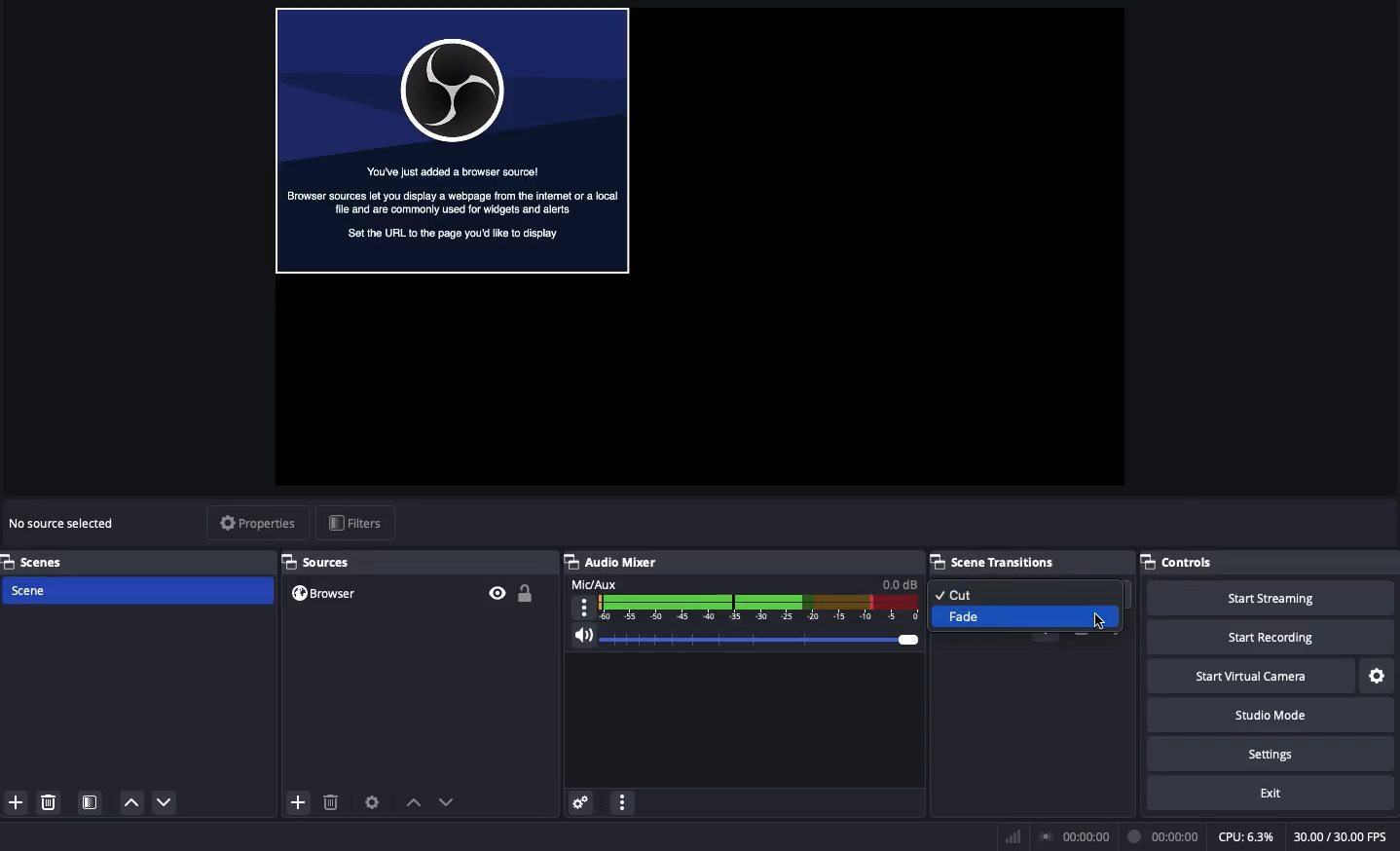 This screenshot has width=1400, height=851. Describe the element at coordinates (255, 523) in the screenshot. I see `Properties` at that location.